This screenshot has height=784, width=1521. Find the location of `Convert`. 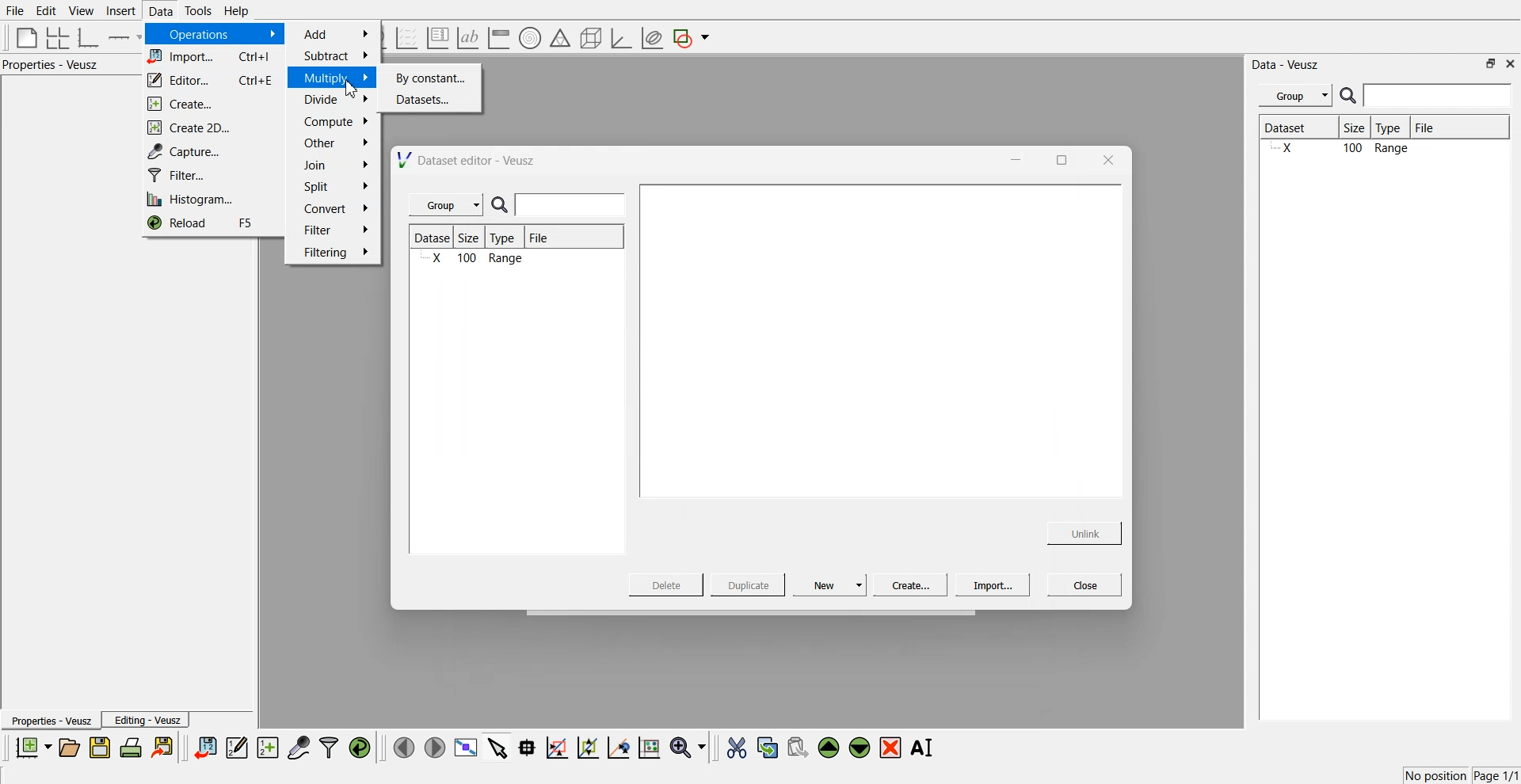

Convert is located at coordinates (334, 208).